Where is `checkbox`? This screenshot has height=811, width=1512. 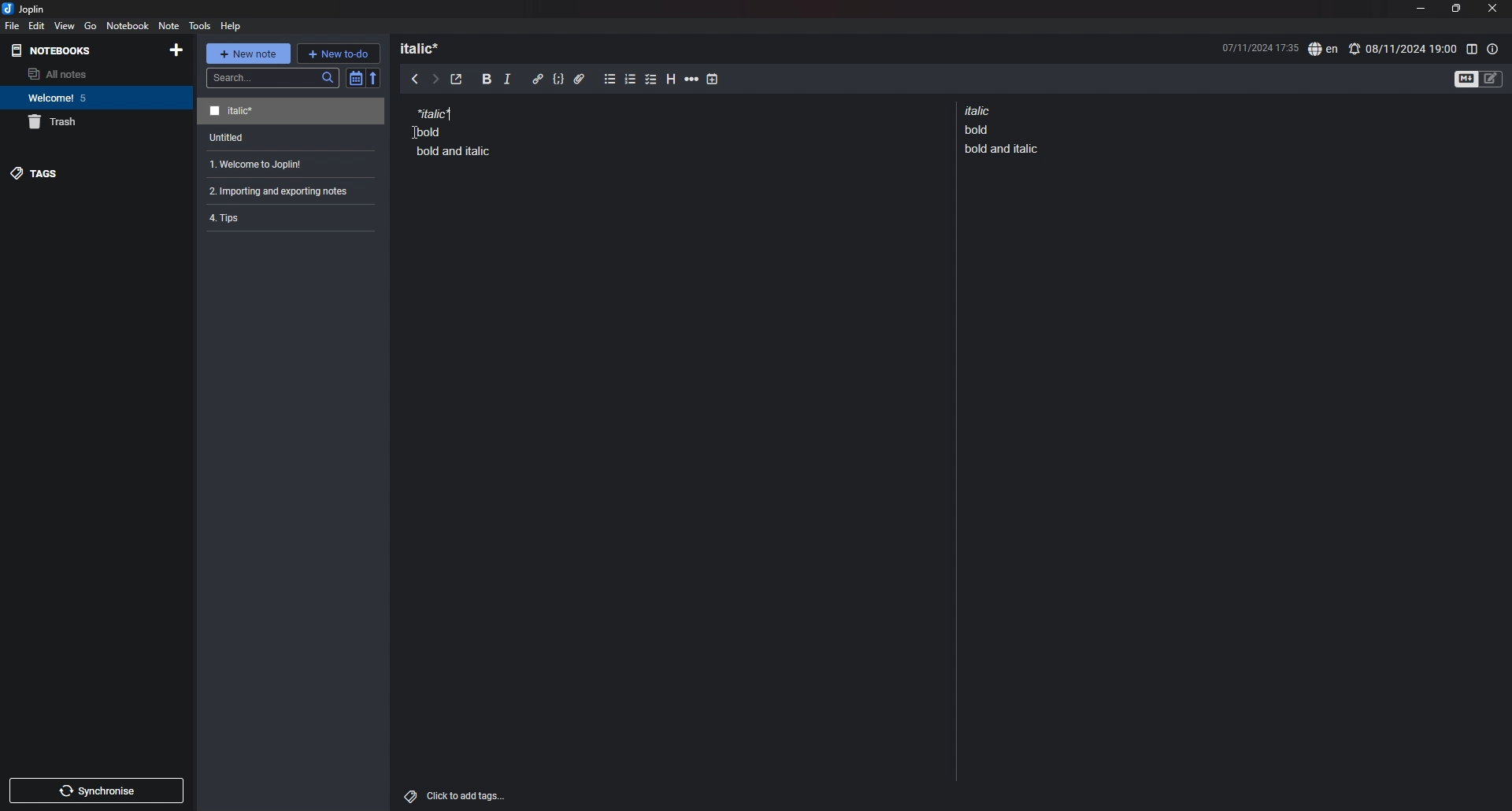 checkbox is located at coordinates (651, 80).